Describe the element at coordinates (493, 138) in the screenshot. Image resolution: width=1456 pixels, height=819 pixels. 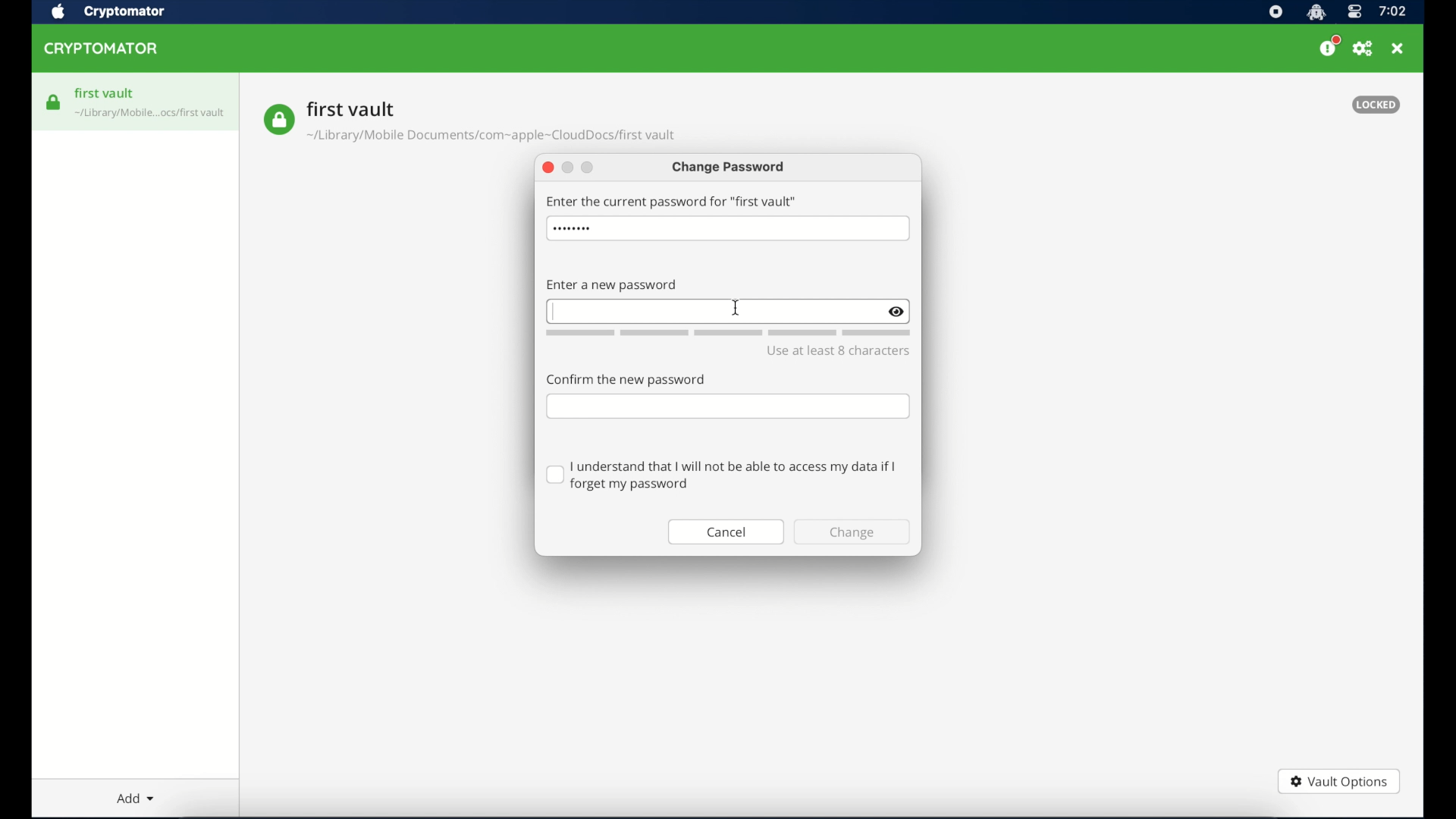
I see `vault location` at that location.